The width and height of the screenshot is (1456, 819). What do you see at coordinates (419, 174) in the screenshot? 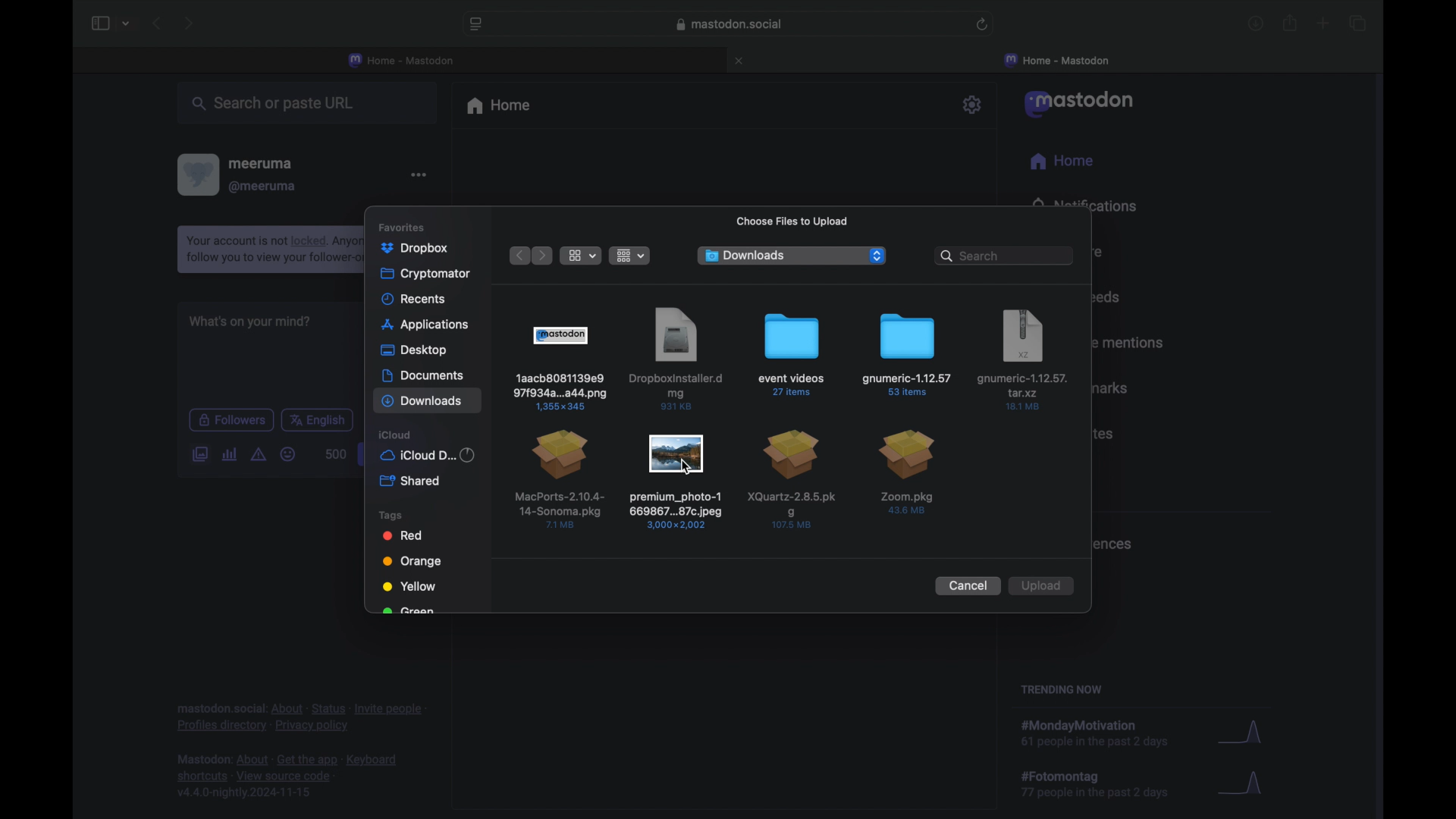
I see `more options` at bounding box center [419, 174].